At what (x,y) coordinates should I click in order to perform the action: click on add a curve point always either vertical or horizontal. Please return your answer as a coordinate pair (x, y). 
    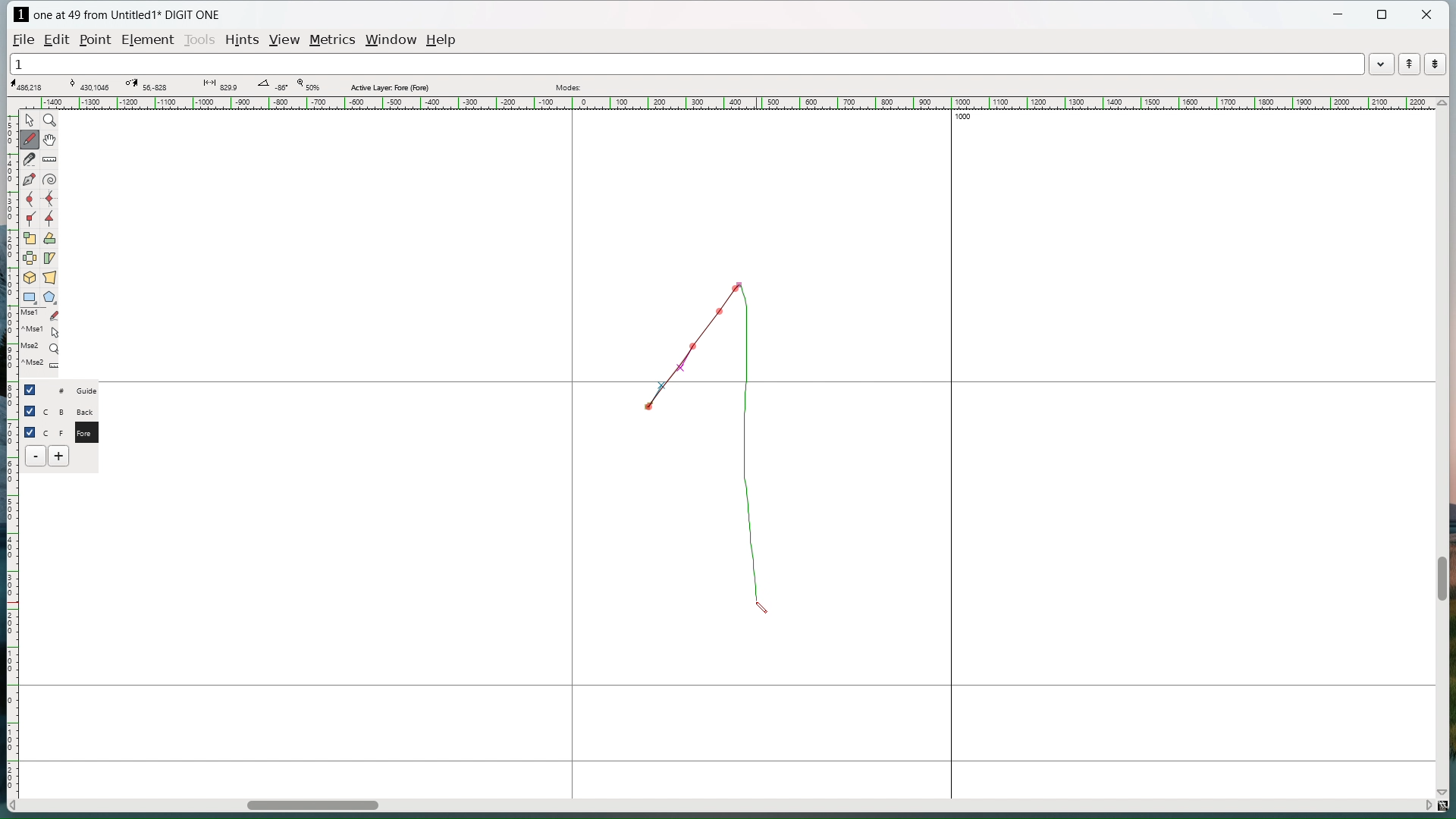
    Looking at the image, I should click on (49, 199).